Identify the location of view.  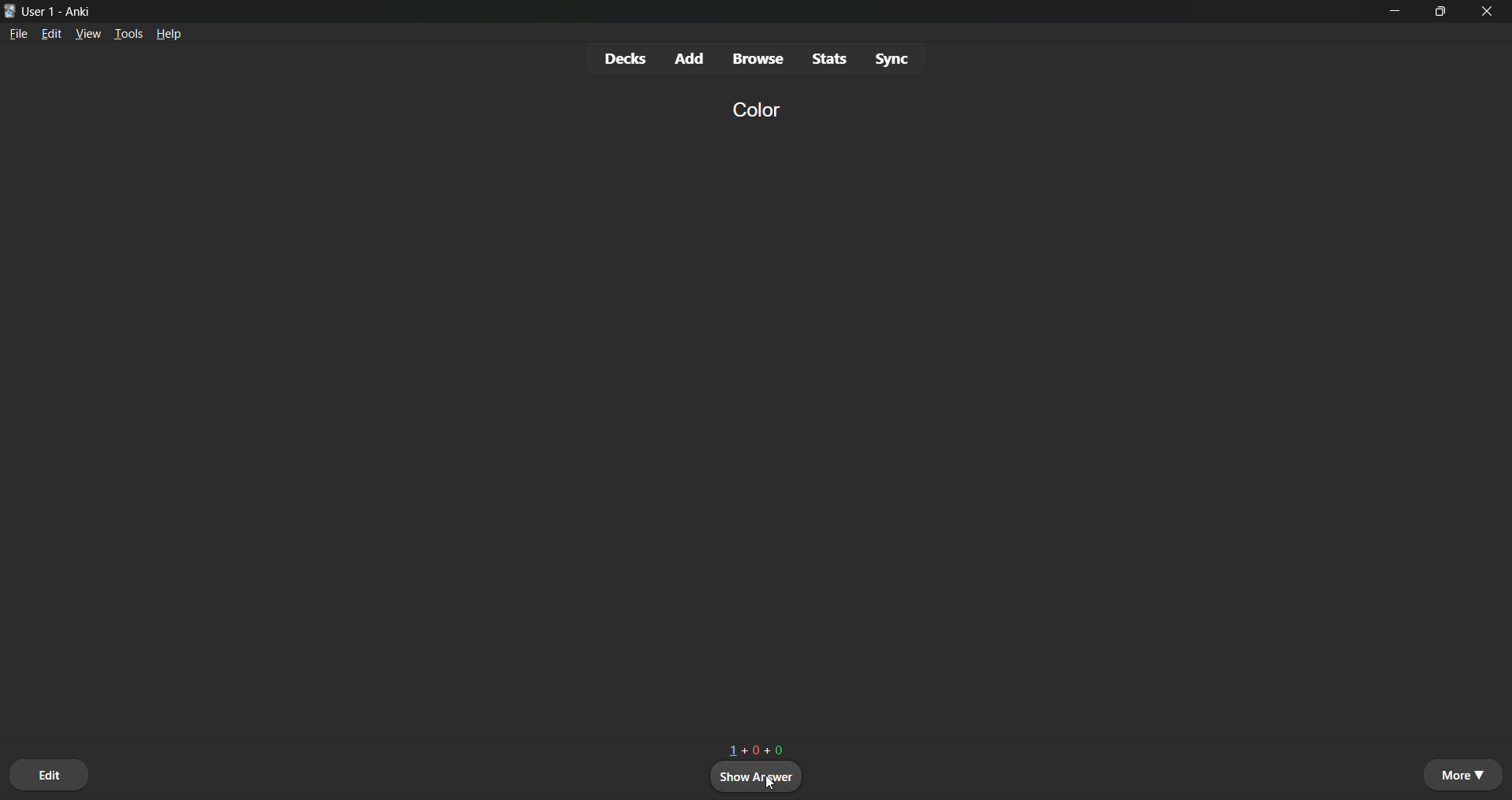
(88, 35).